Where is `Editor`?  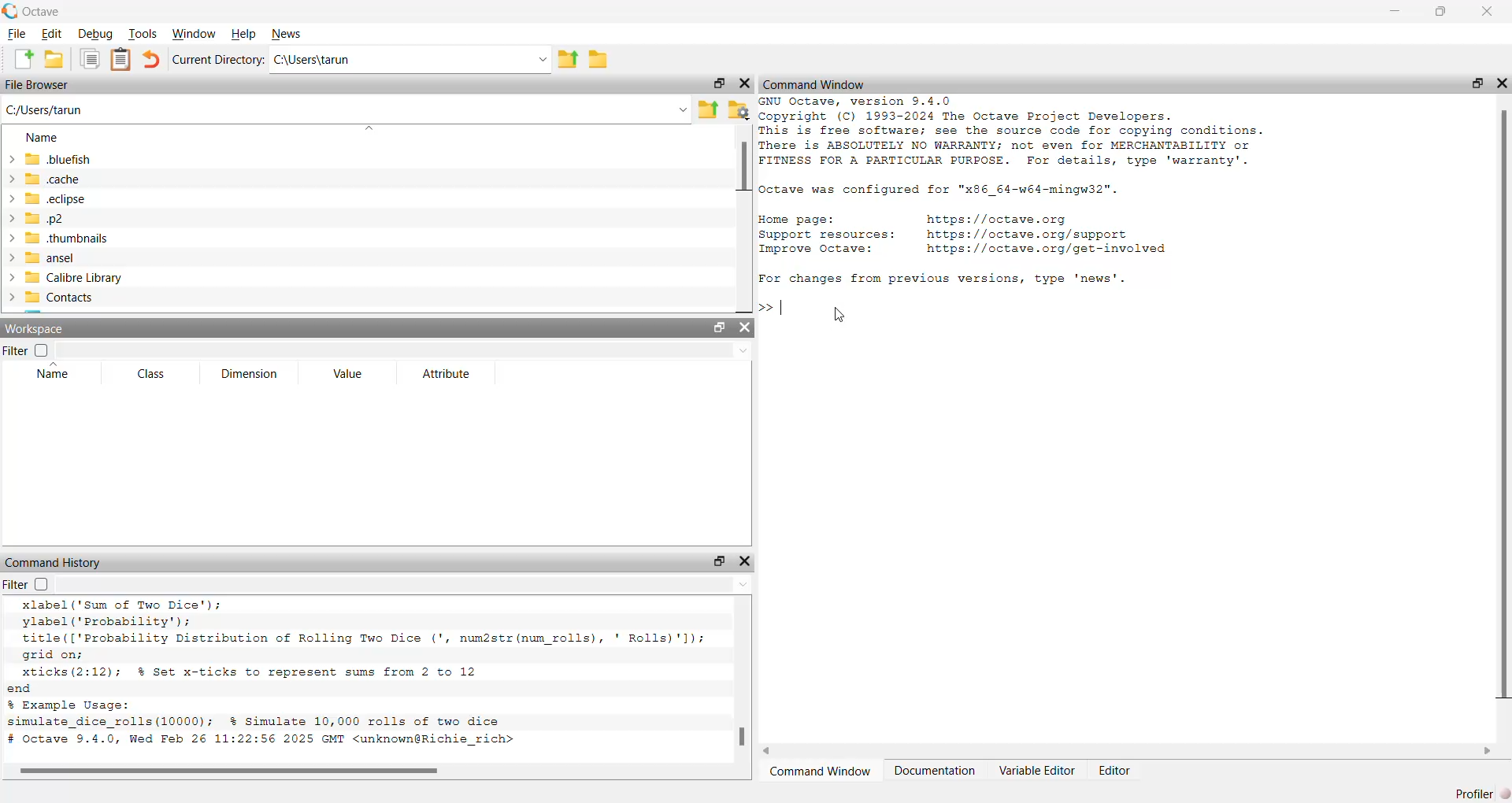
Editor is located at coordinates (1115, 770).